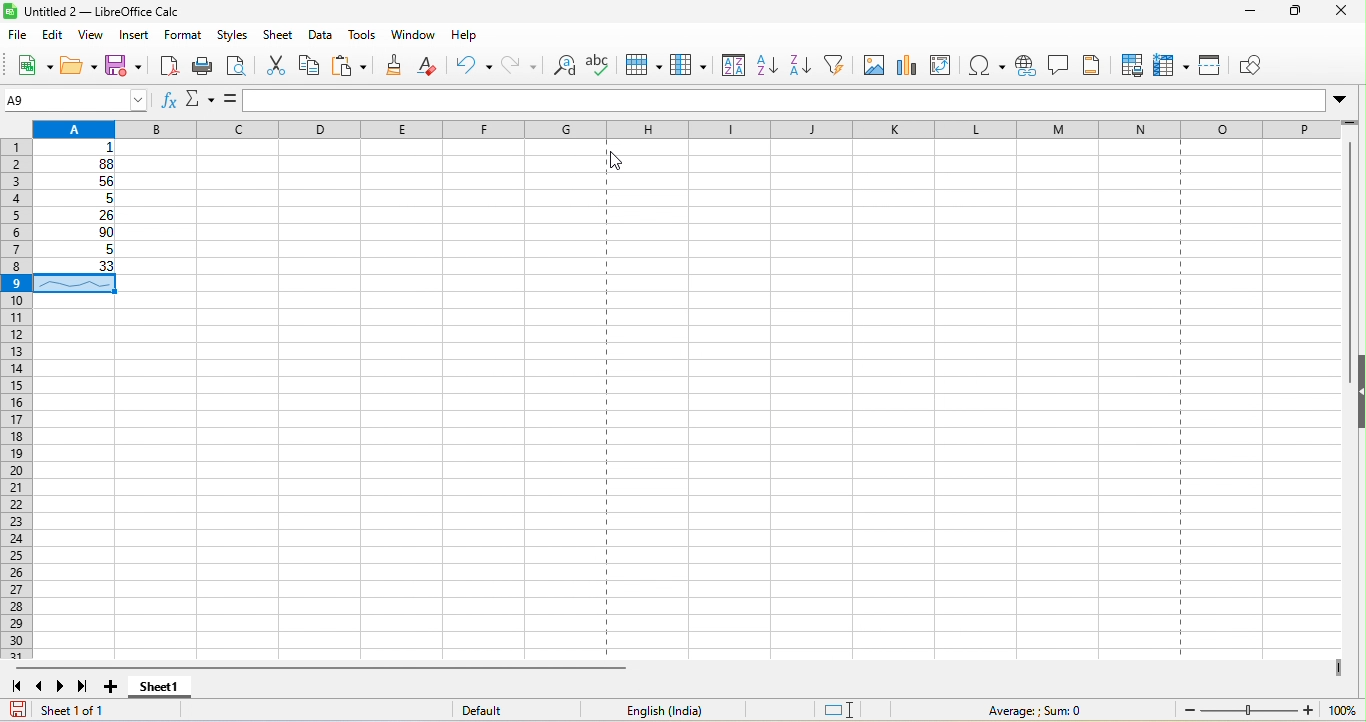  I want to click on horizontal scroll bar, so click(327, 670).